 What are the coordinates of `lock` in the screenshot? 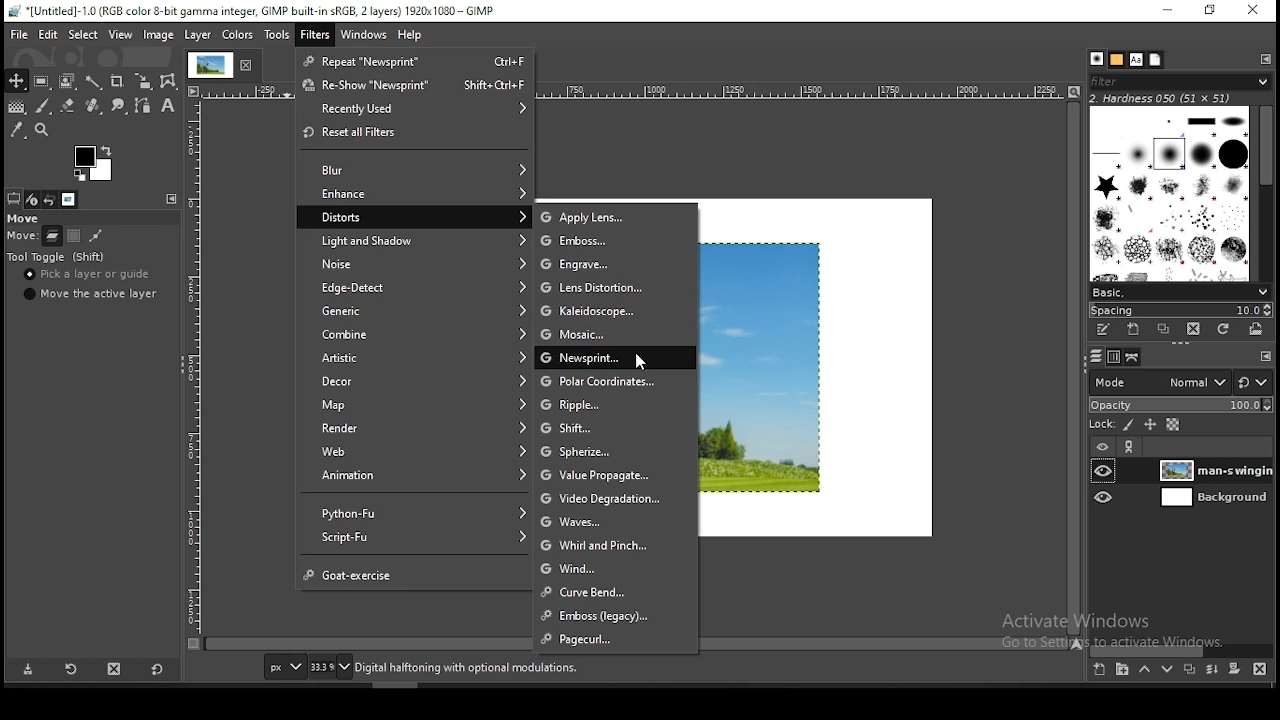 It's located at (1103, 424).